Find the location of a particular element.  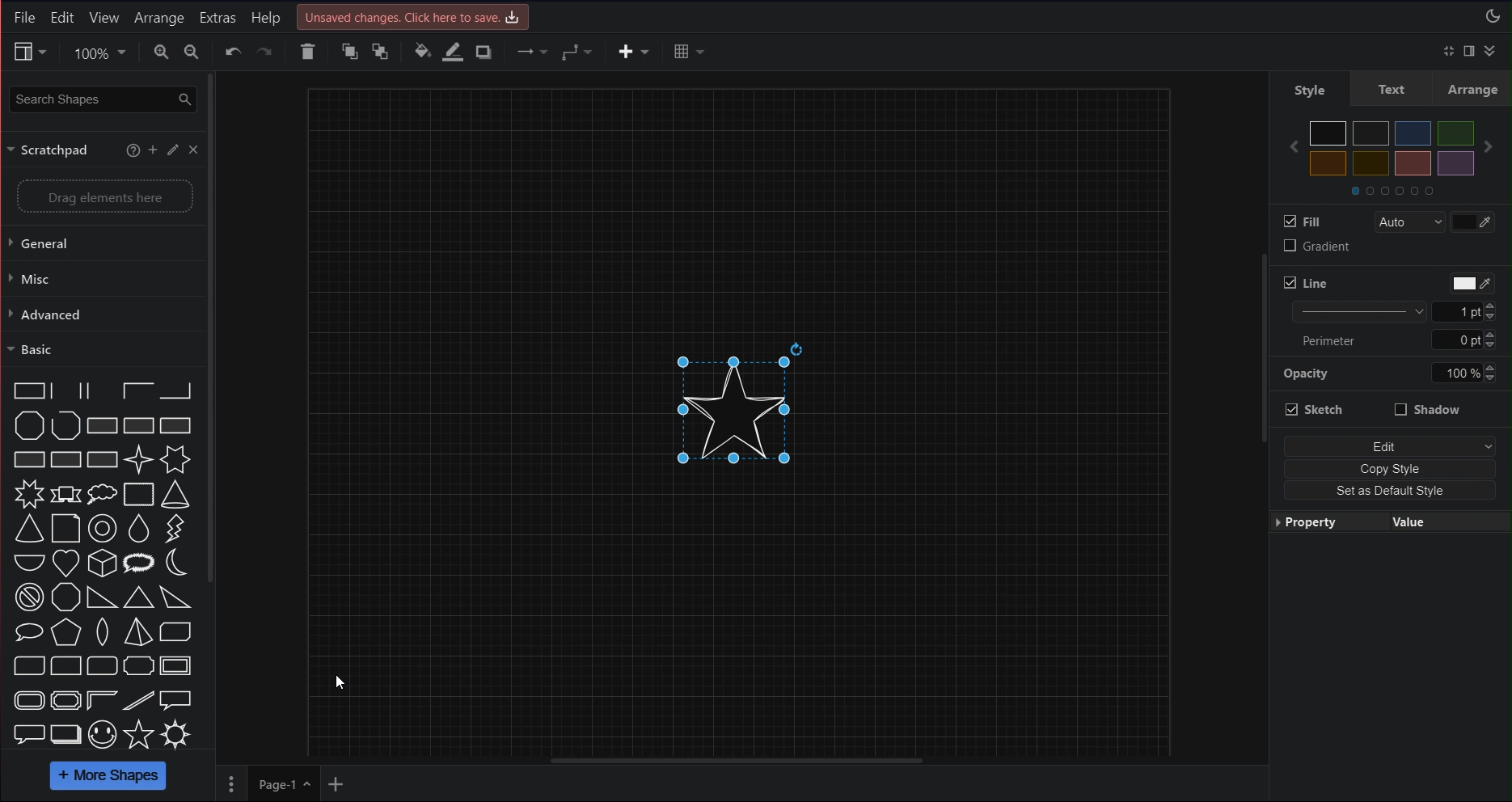

frame corner is located at coordinates (101, 699).